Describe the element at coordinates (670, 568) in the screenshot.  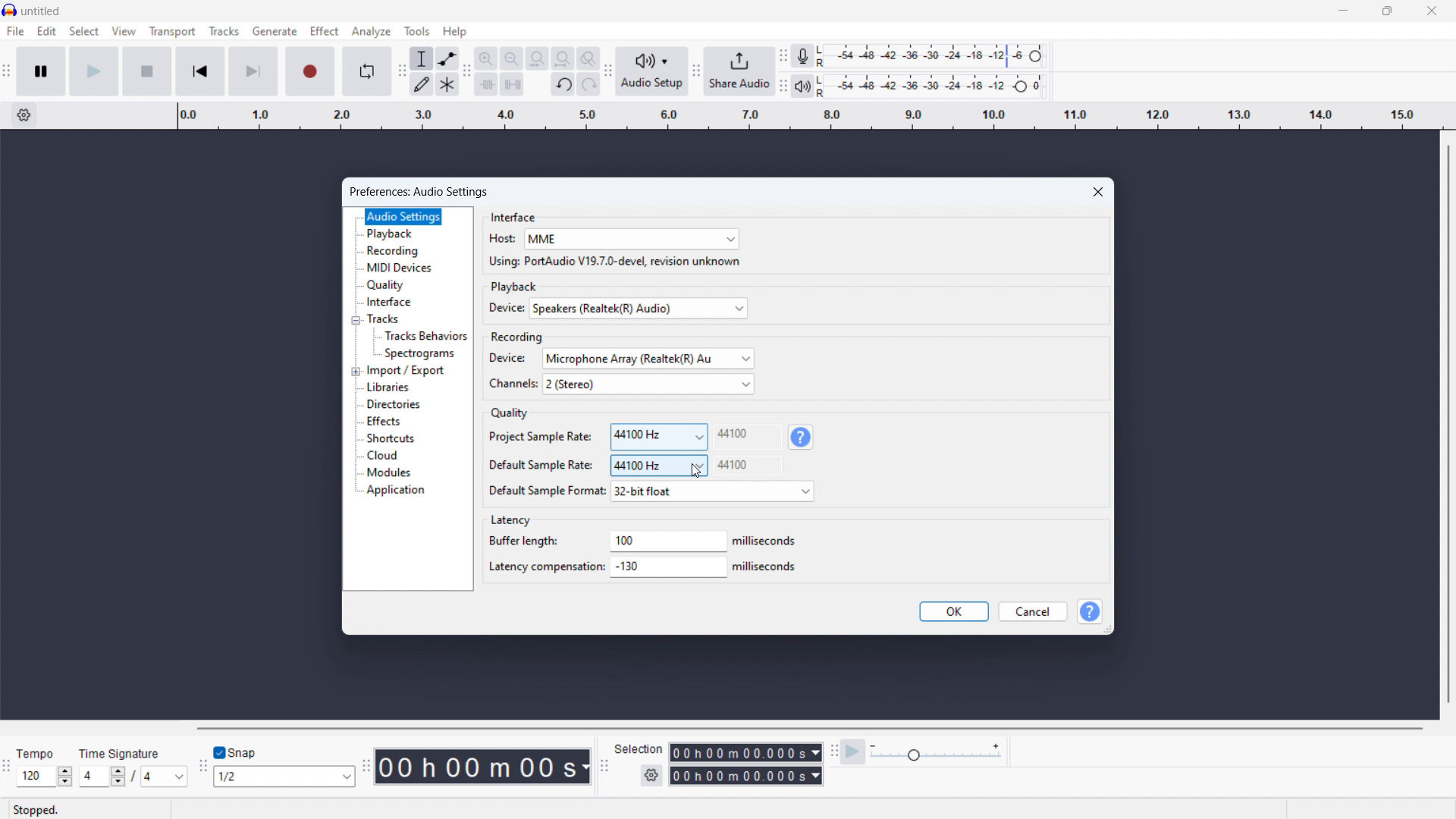
I see `latency compensation` at that location.